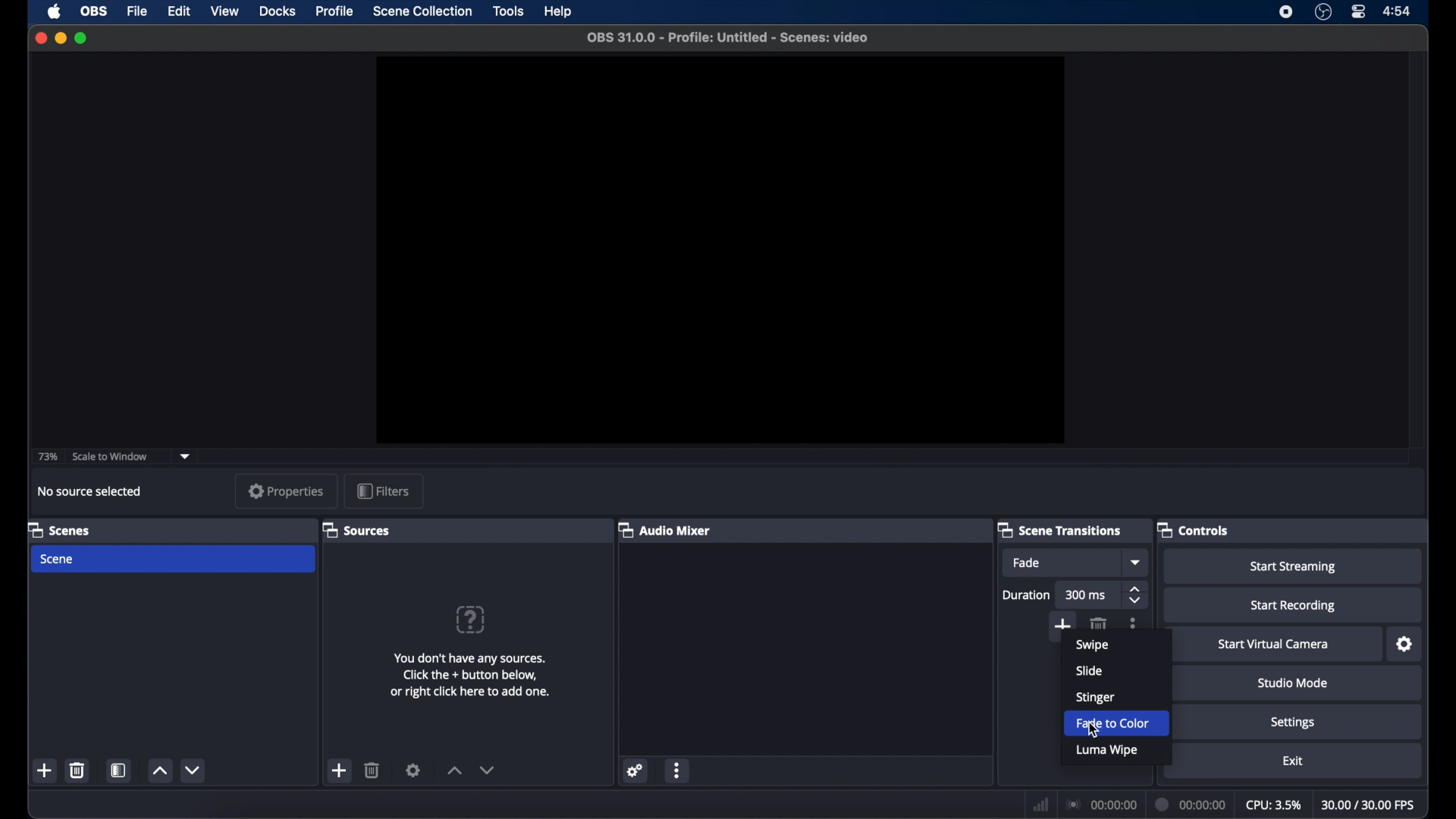 The height and width of the screenshot is (819, 1456). I want to click on startvirtual camera, so click(1273, 645).